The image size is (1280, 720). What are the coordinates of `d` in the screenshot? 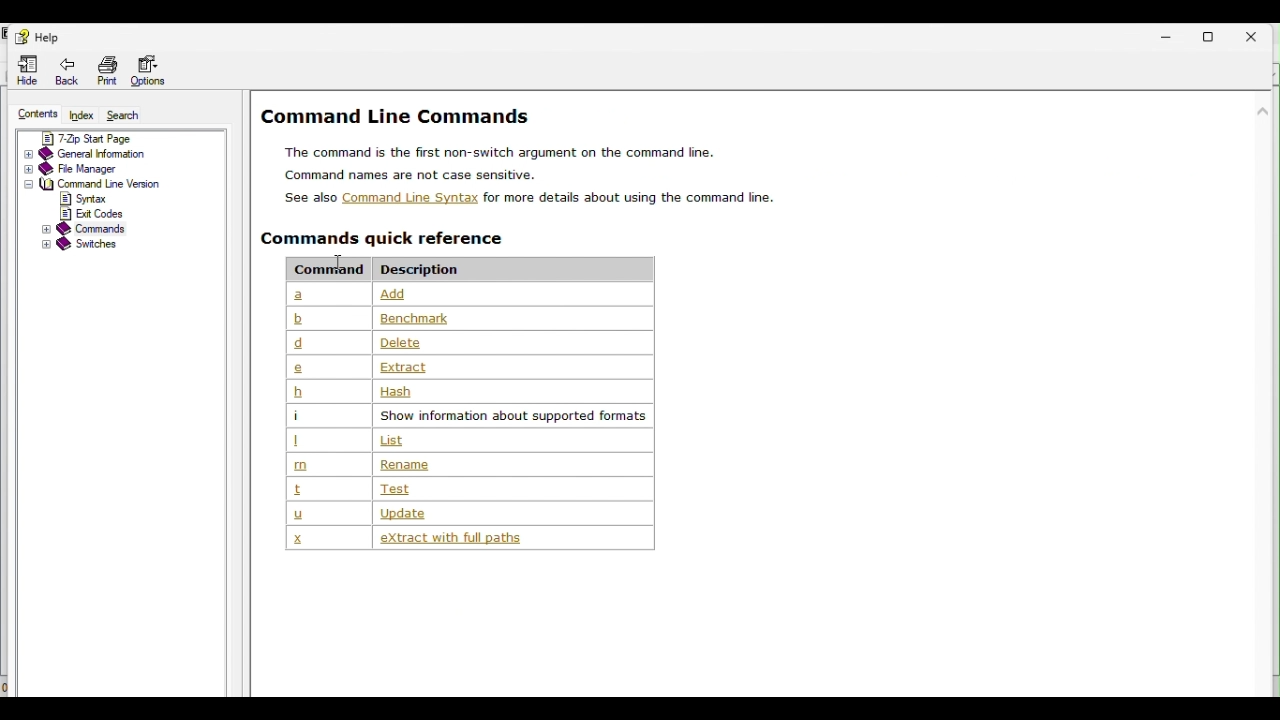 It's located at (301, 343).